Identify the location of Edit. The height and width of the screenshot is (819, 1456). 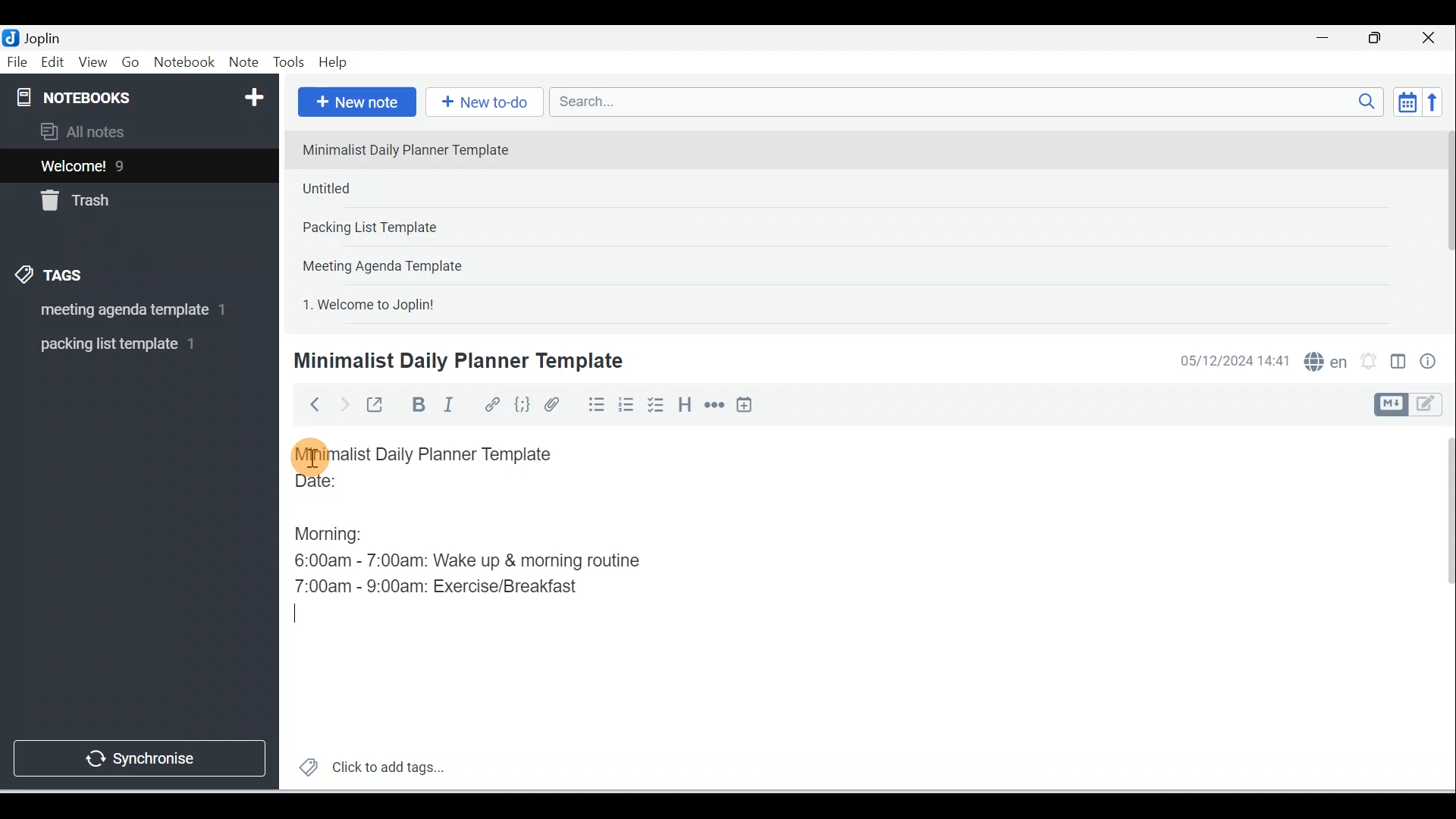
(54, 63).